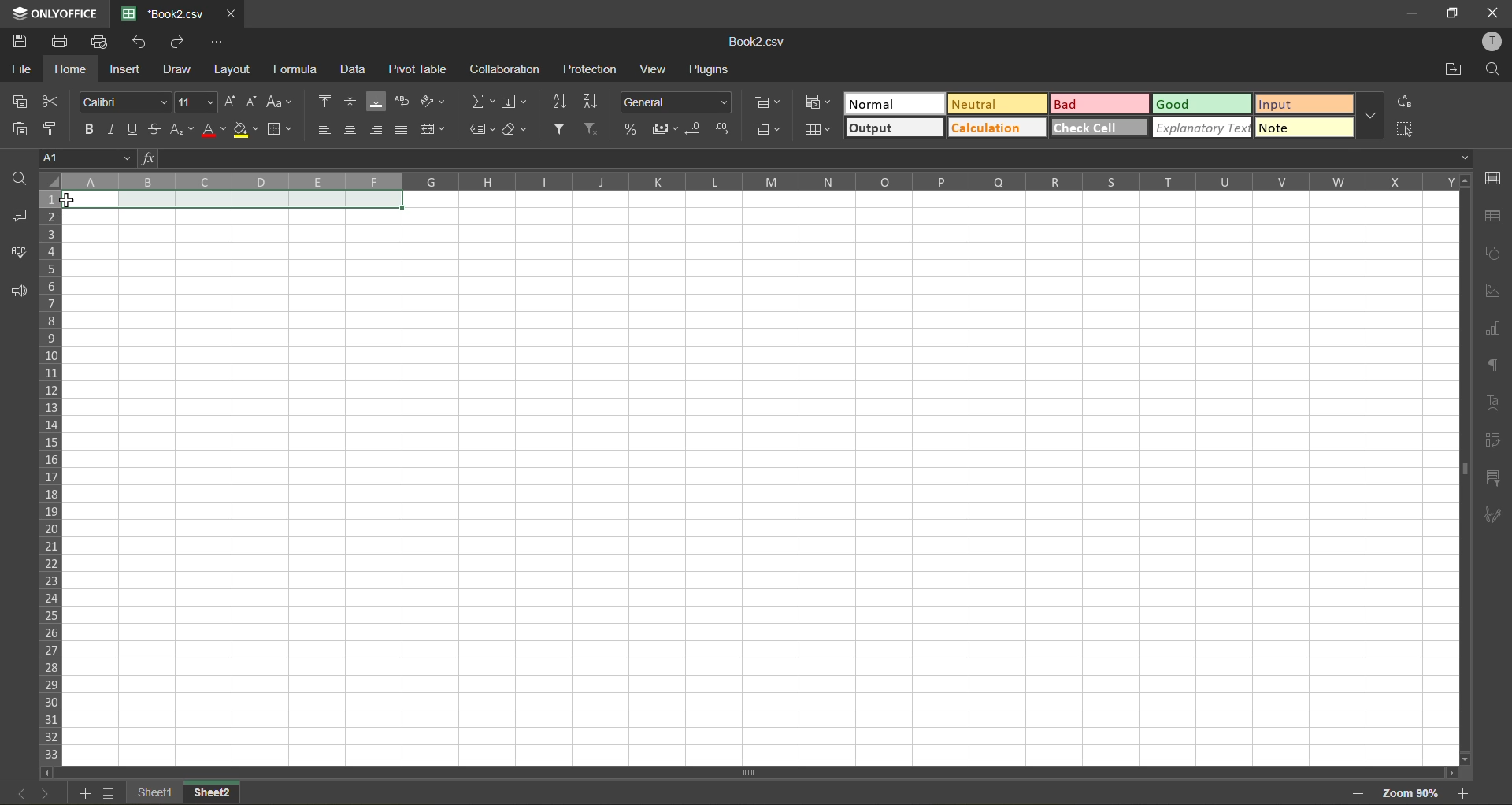 Image resolution: width=1512 pixels, height=805 pixels. I want to click on font style, so click(123, 102).